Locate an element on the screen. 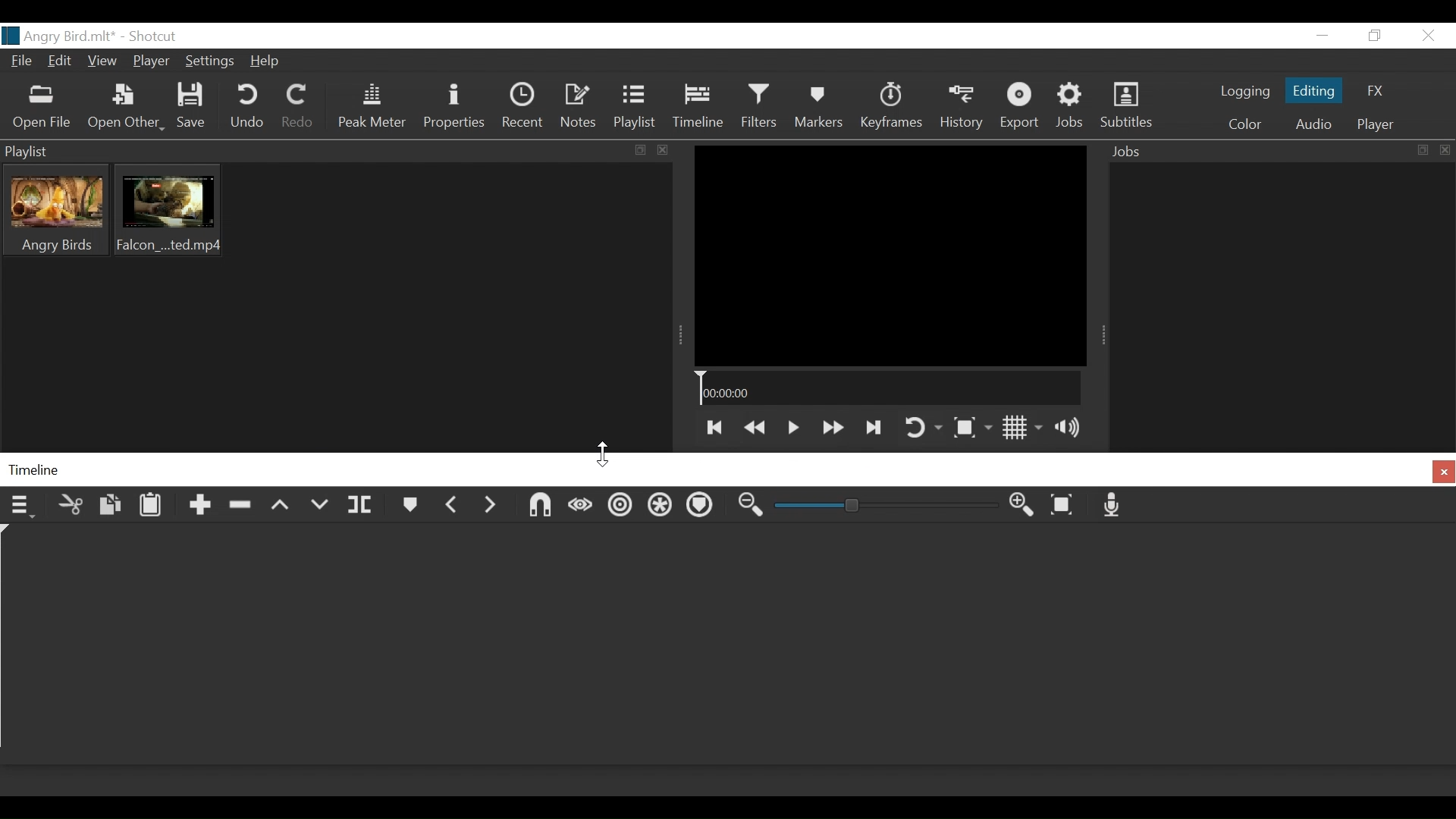 The width and height of the screenshot is (1456, 819). Jobs Panel is located at coordinates (1279, 151).